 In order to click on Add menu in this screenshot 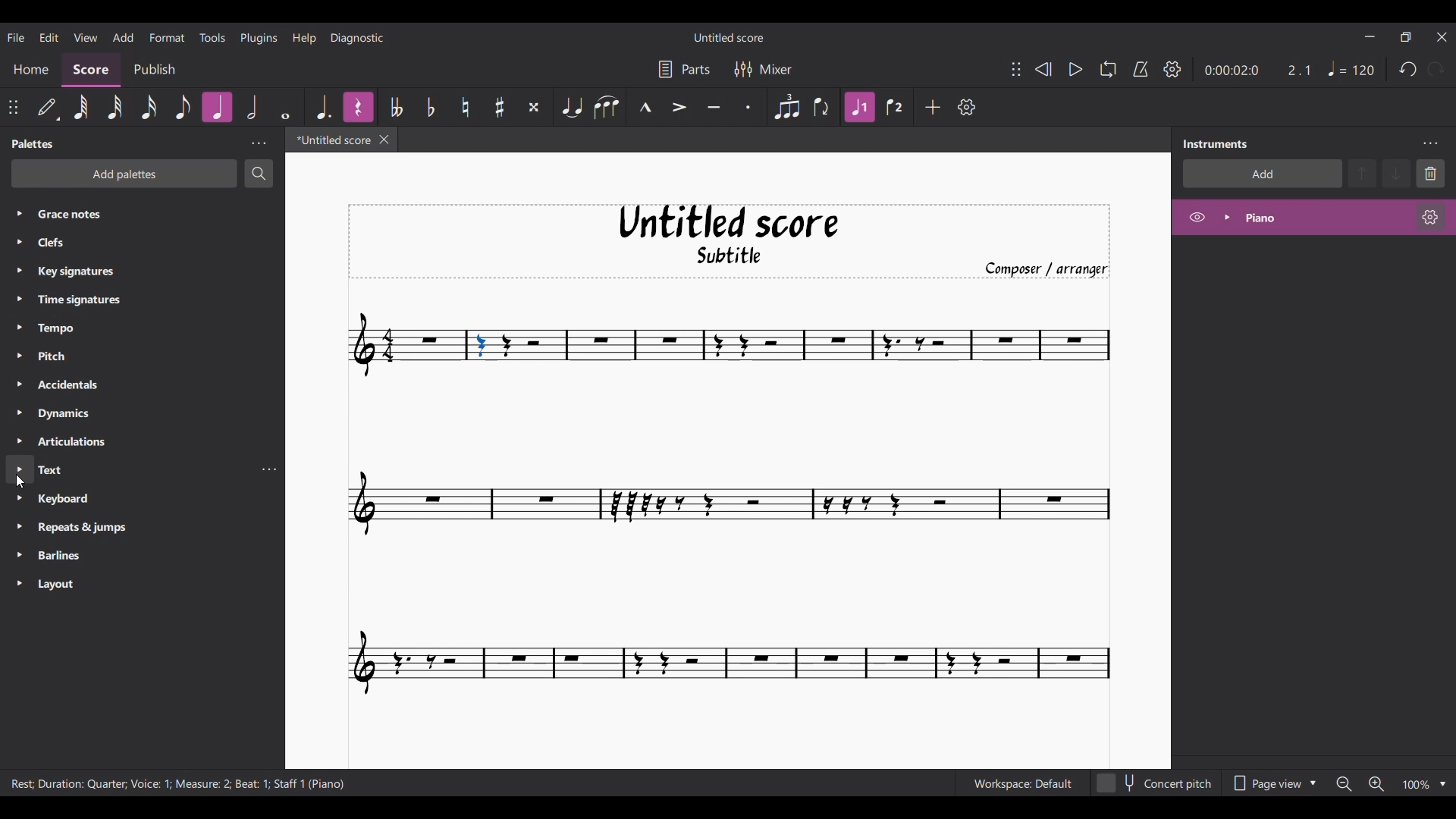, I will do `click(124, 37)`.